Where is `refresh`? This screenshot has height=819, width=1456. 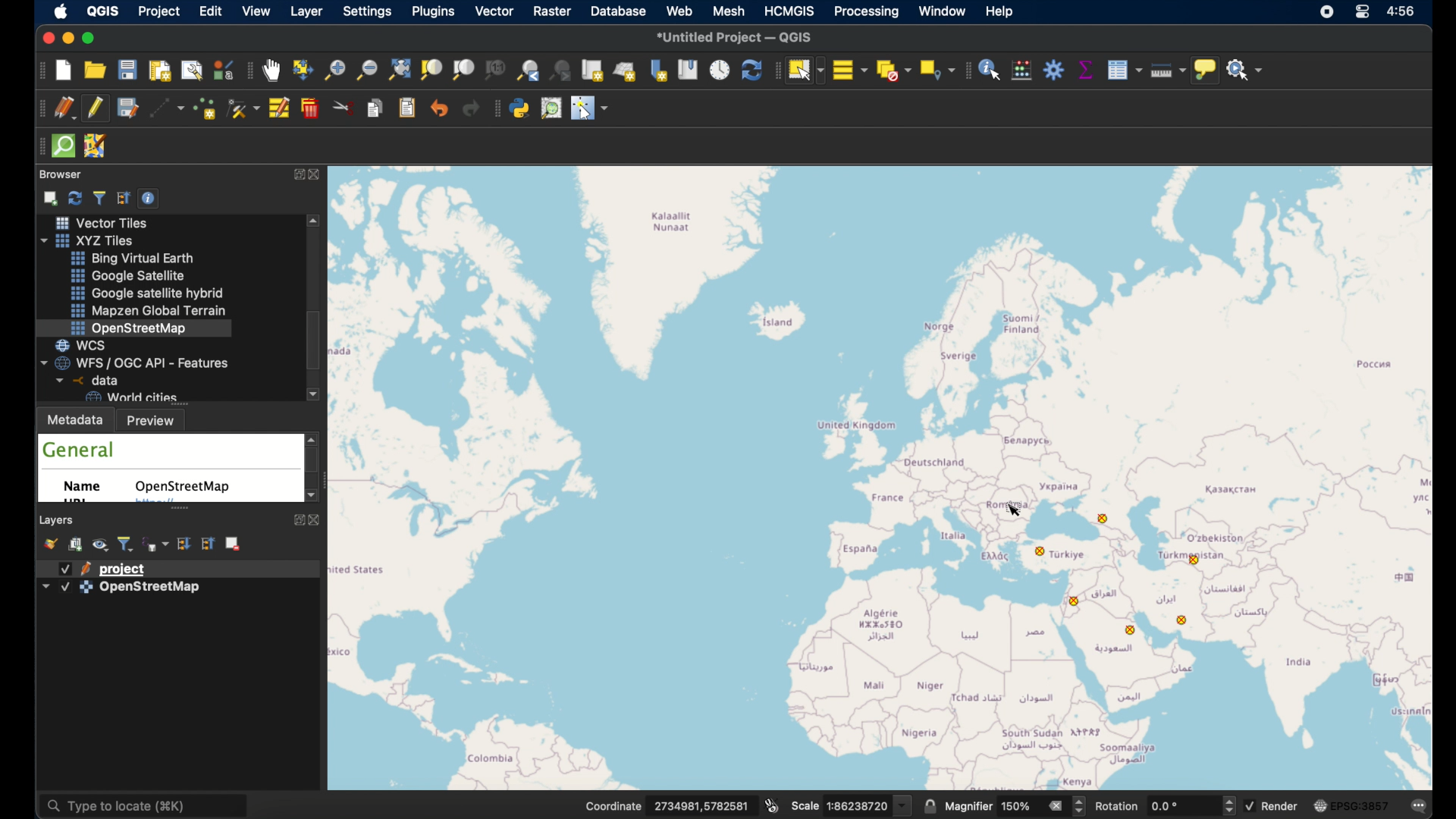
refresh is located at coordinates (74, 196).